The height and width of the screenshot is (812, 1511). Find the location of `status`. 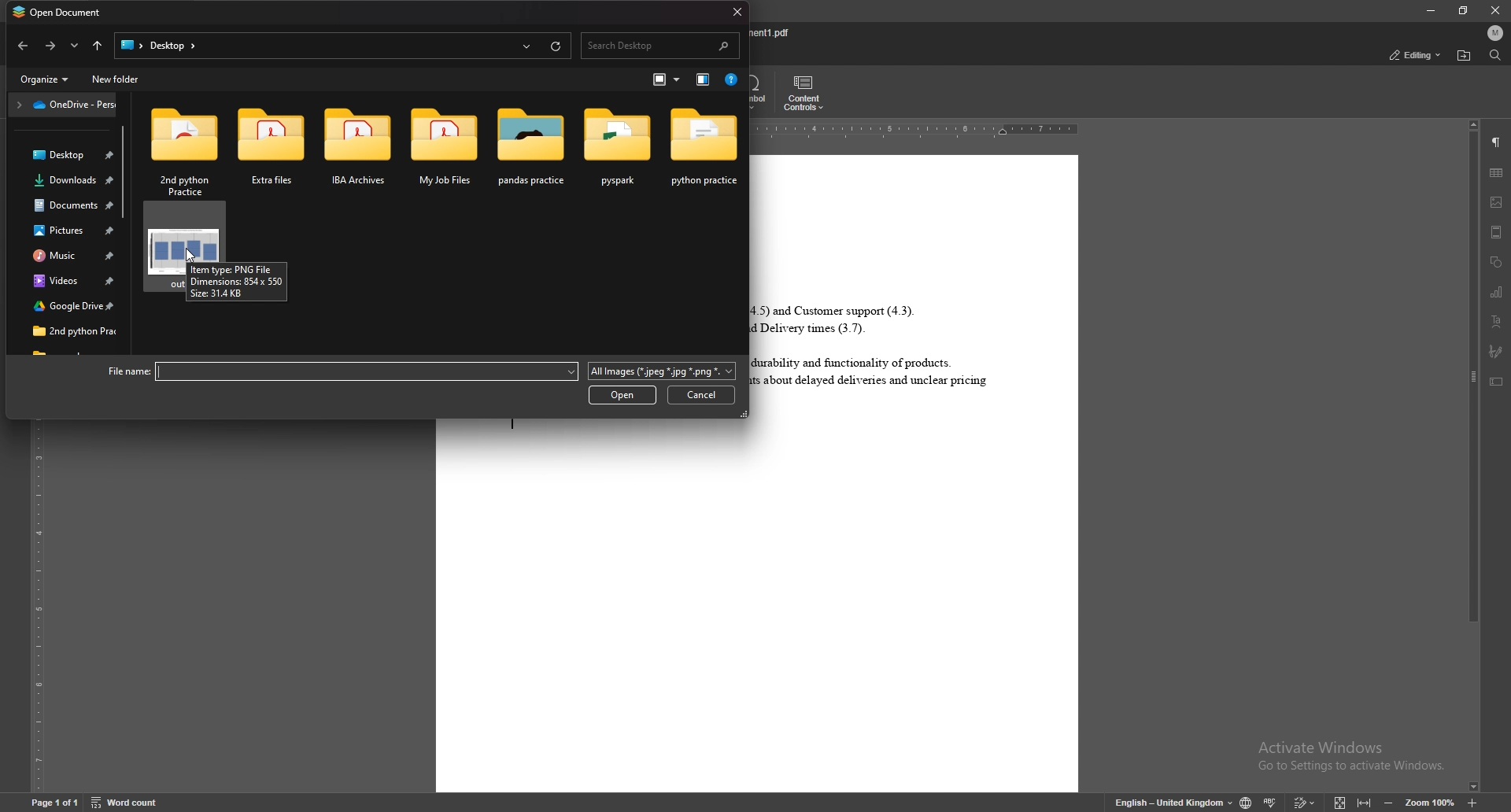

status is located at coordinates (1413, 54).